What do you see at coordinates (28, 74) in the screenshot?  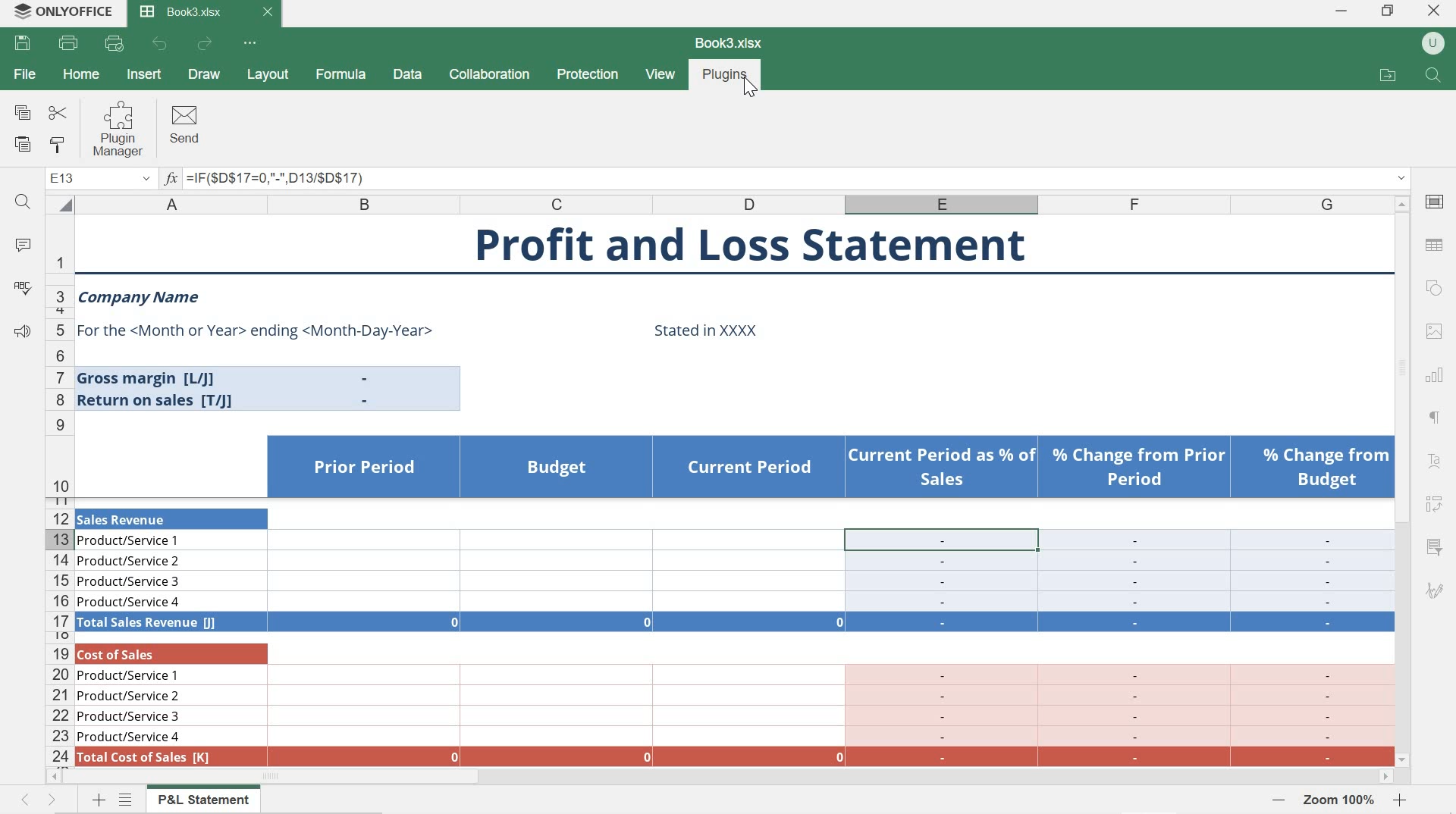 I see `file` at bounding box center [28, 74].